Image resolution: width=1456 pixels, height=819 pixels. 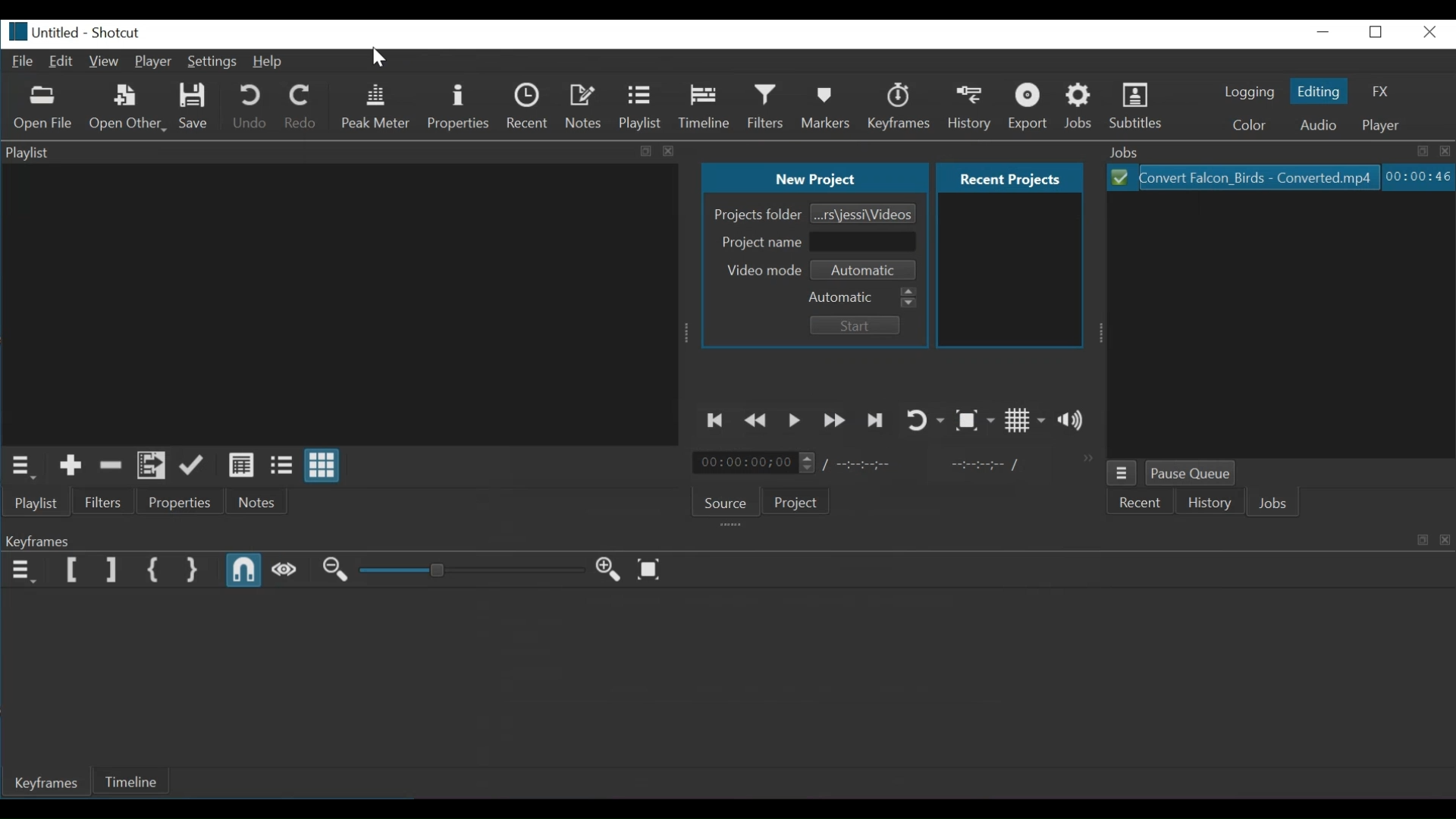 I want to click on Automatic(Set Video mode), so click(x=865, y=270).